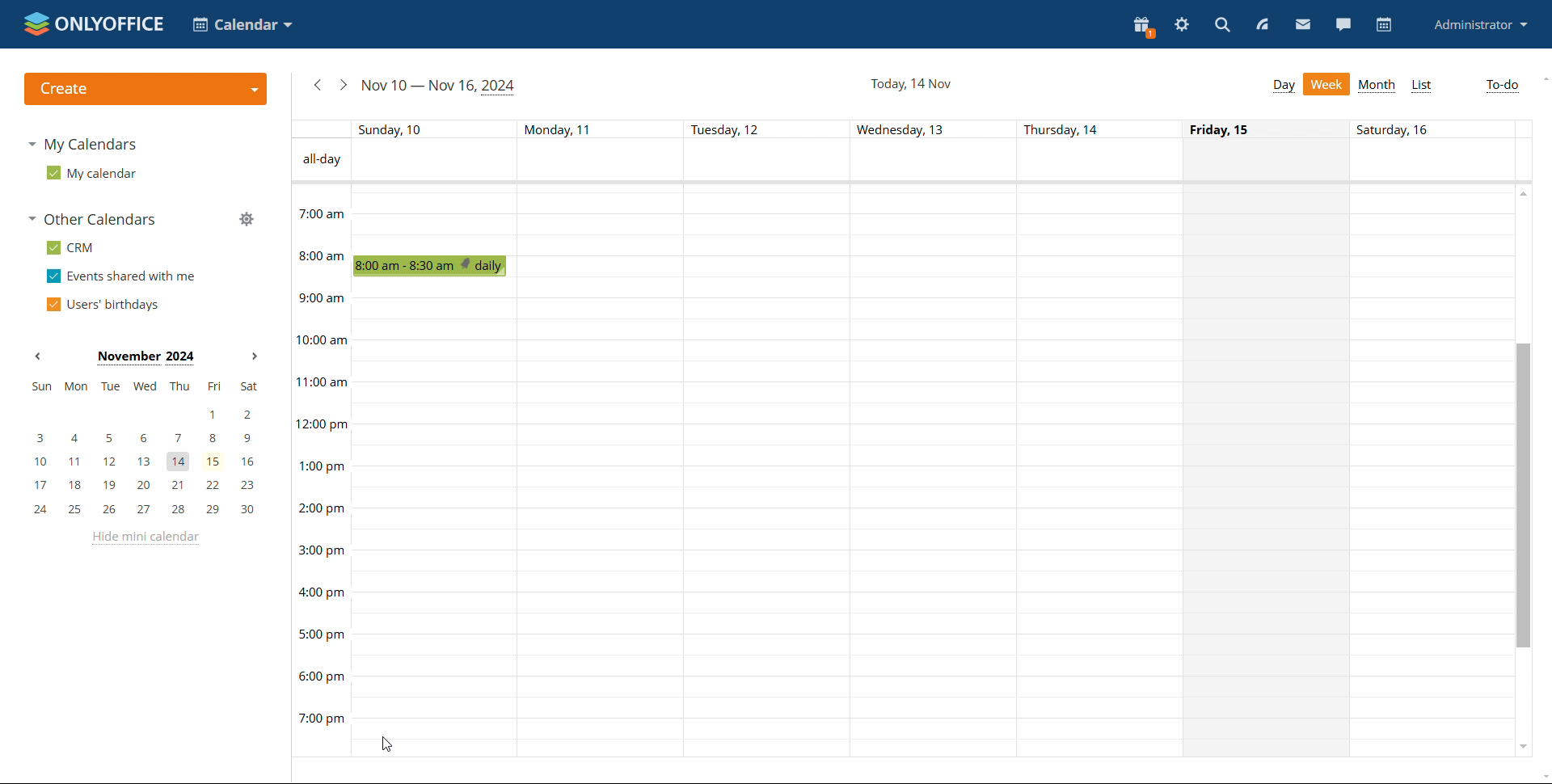 Image resolution: width=1552 pixels, height=784 pixels. What do you see at coordinates (1284, 86) in the screenshot?
I see `day view` at bounding box center [1284, 86].